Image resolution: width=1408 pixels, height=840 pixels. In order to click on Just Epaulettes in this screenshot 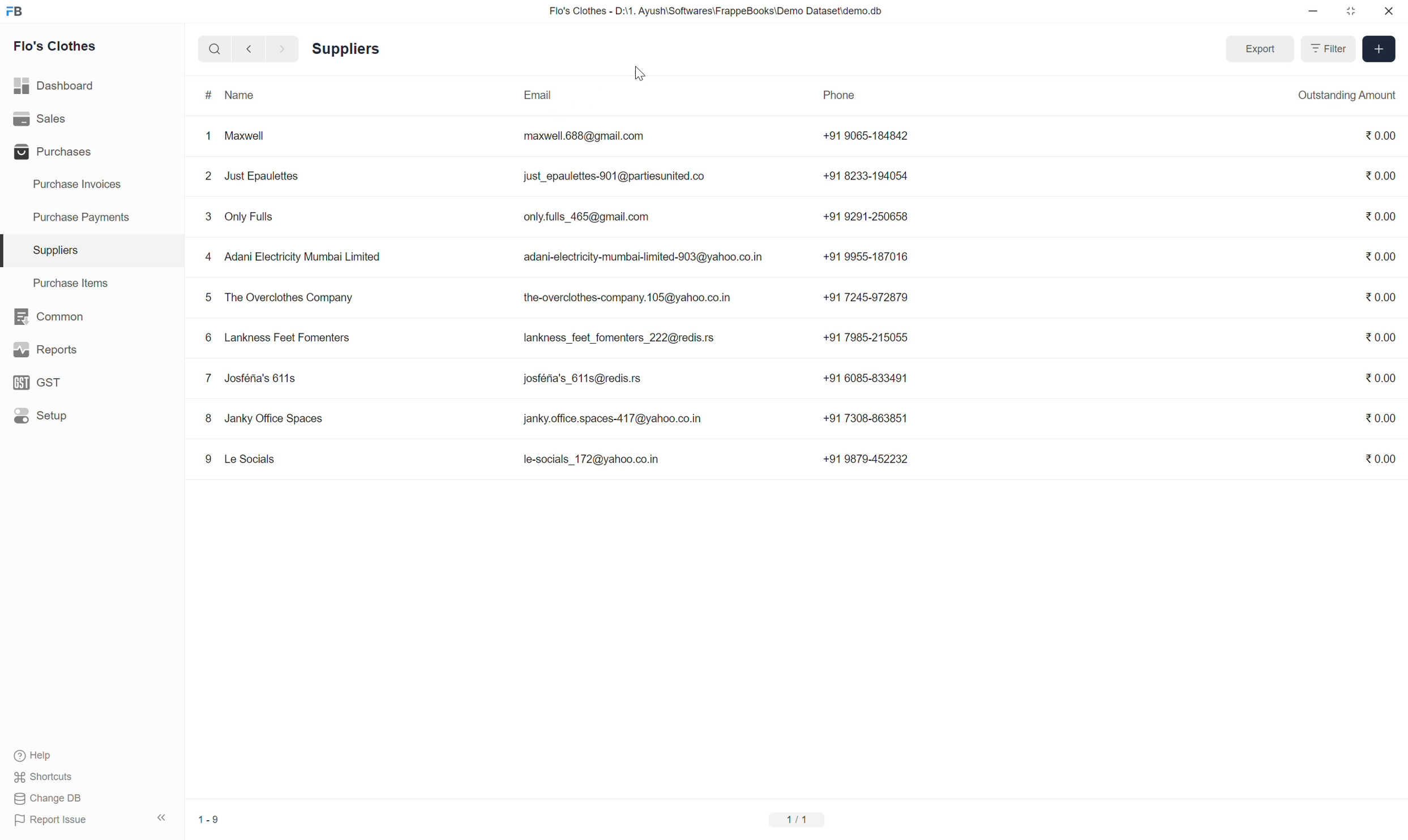, I will do `click(263, 177)`.